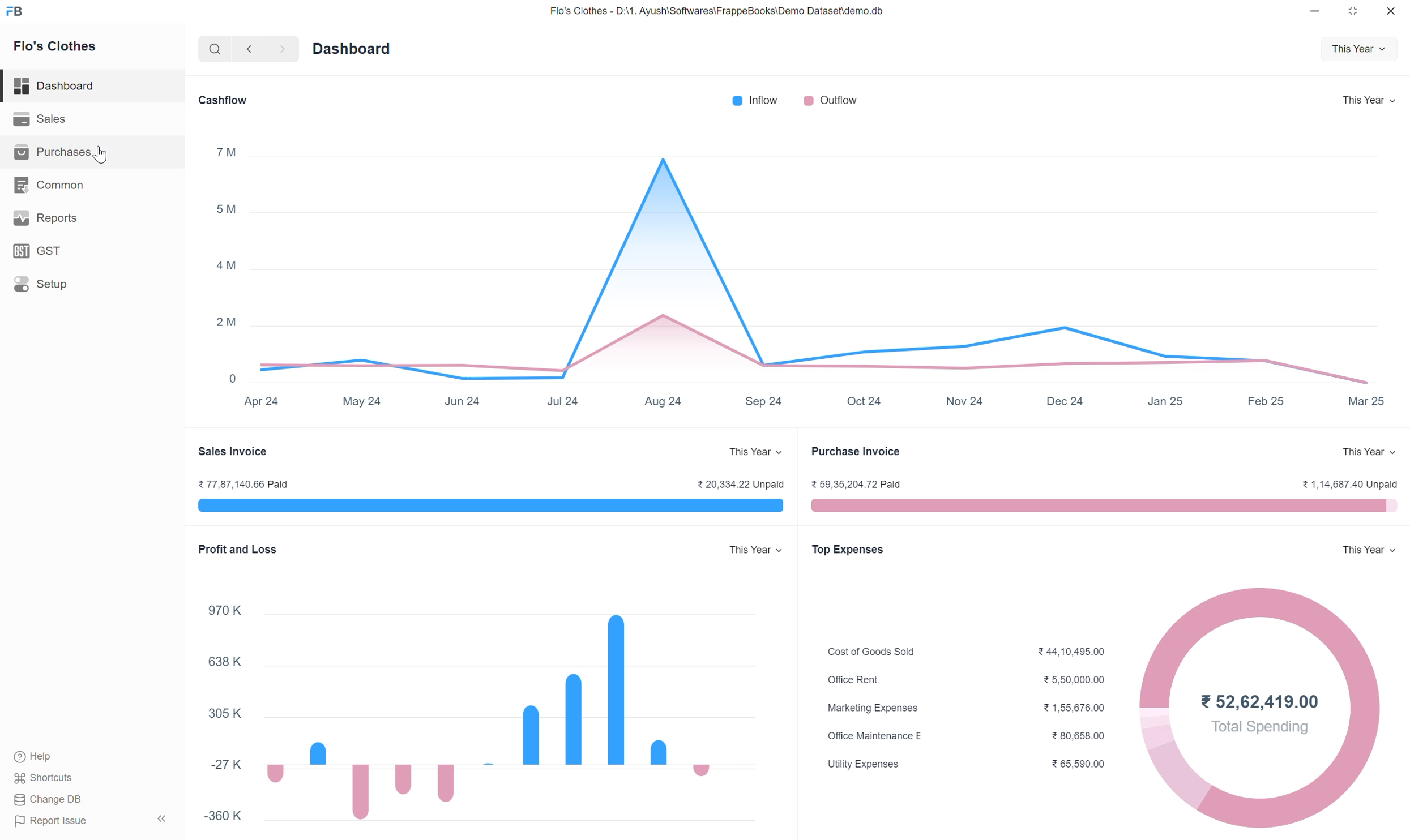  Describe the element at coordinates (353, 47) in the screenshot. I see `dashboard` at that location.